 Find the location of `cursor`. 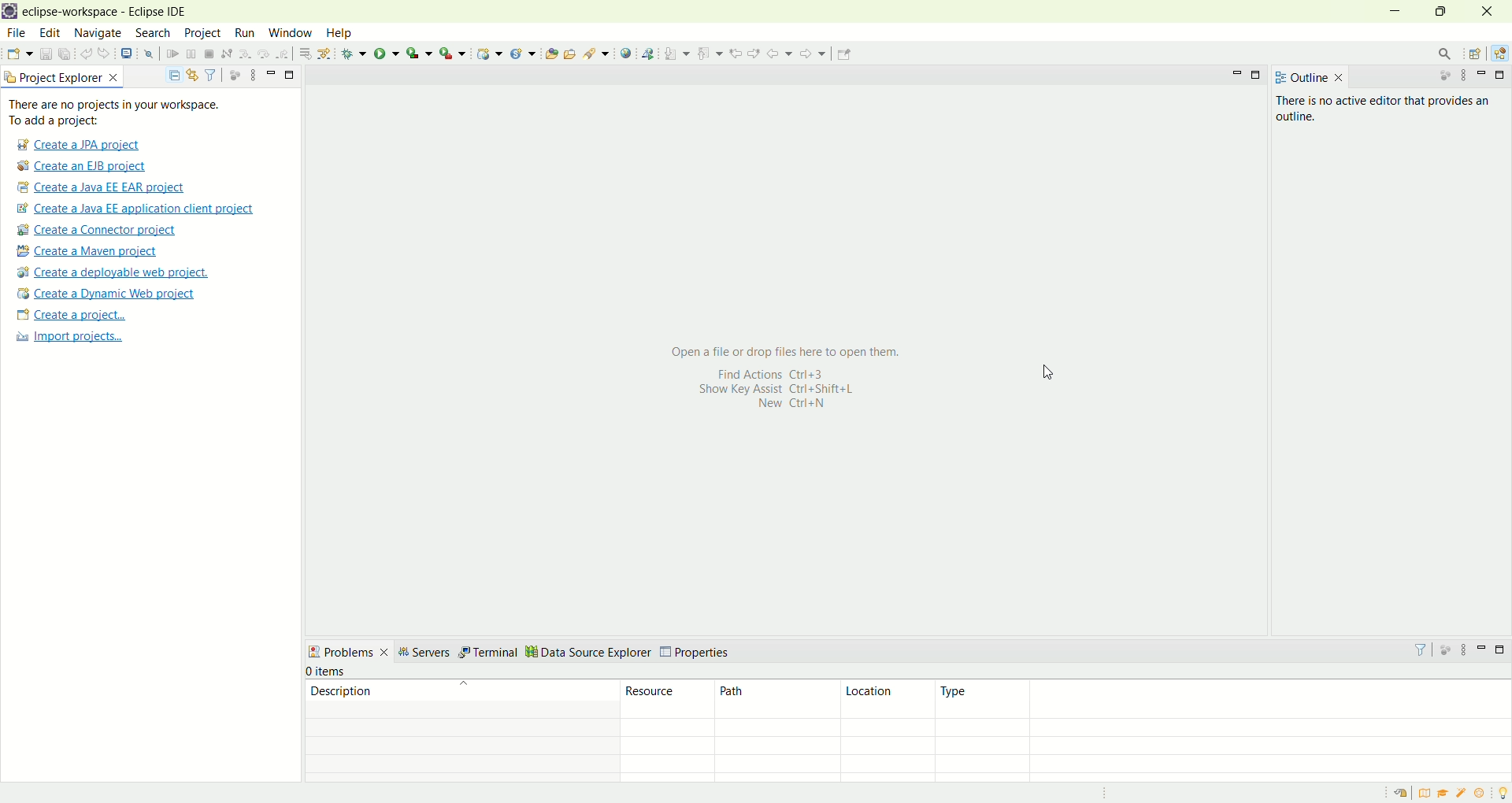

cursor is located at coordinates (1046, 373).